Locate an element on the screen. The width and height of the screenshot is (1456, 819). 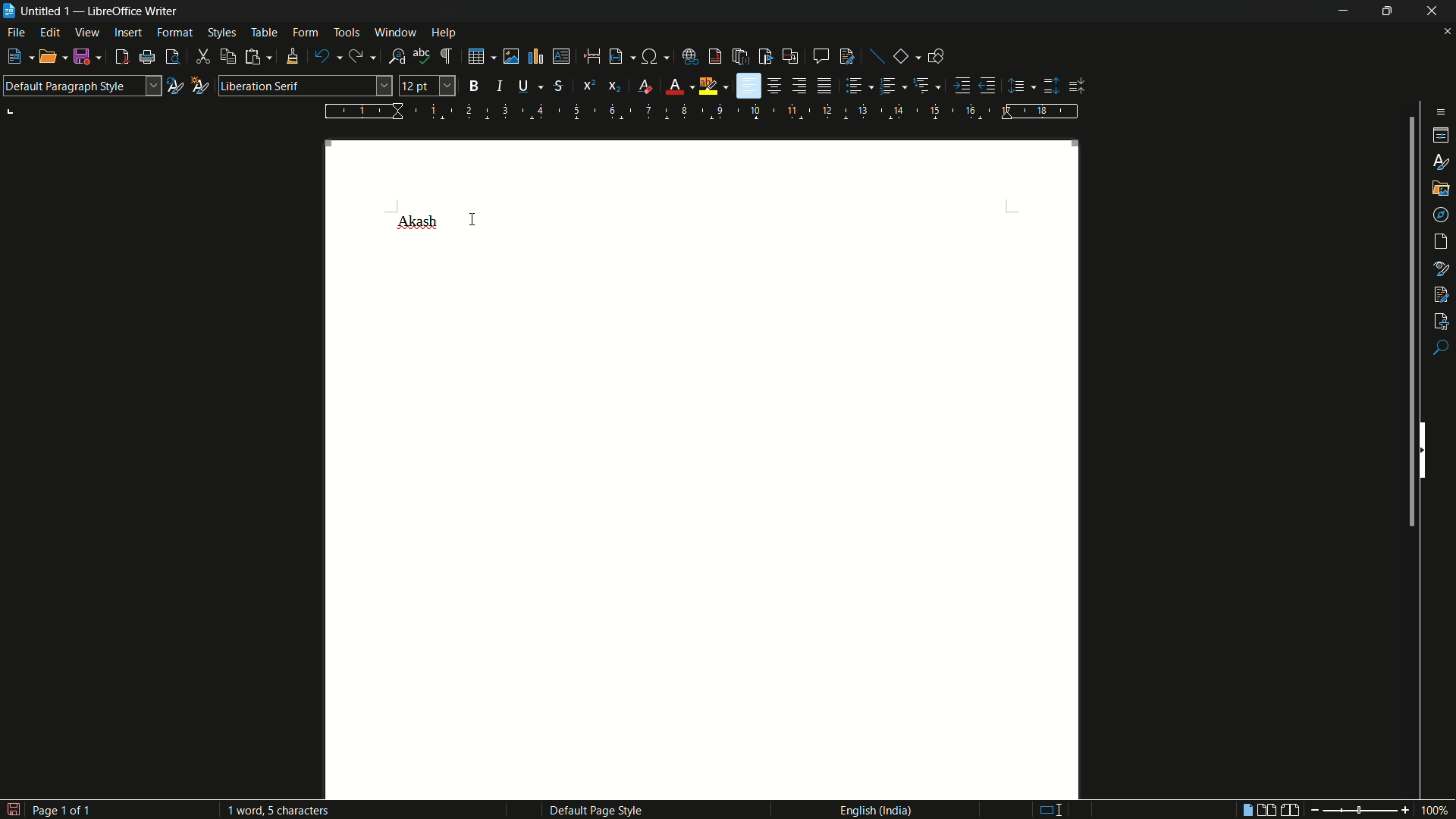
scroll bar is located at coordinates (1407, 325).